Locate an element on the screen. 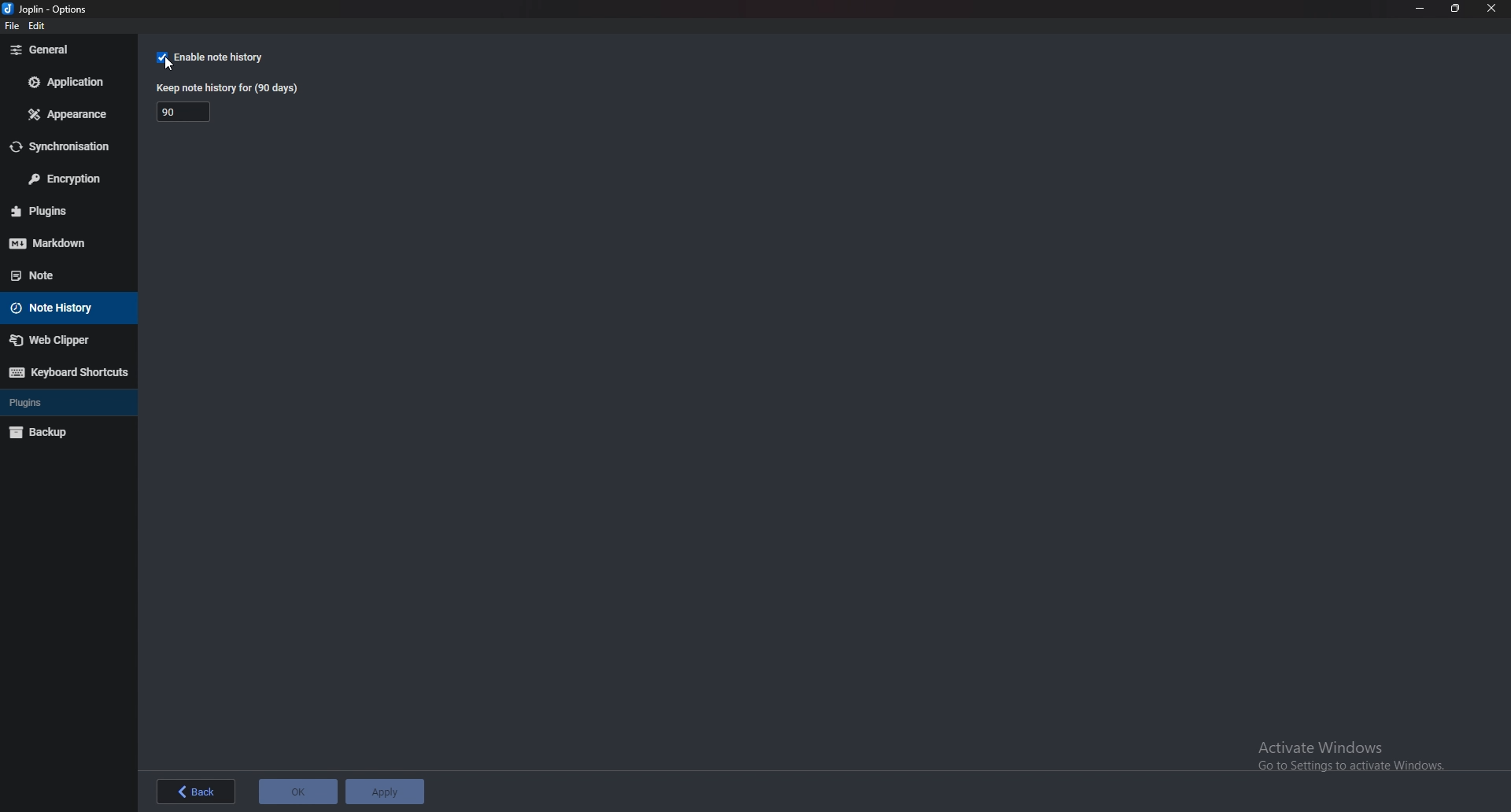 Image resolution: width=1511 pixels, height=812 pixels. Plugins is located at coordinates (65, 210).